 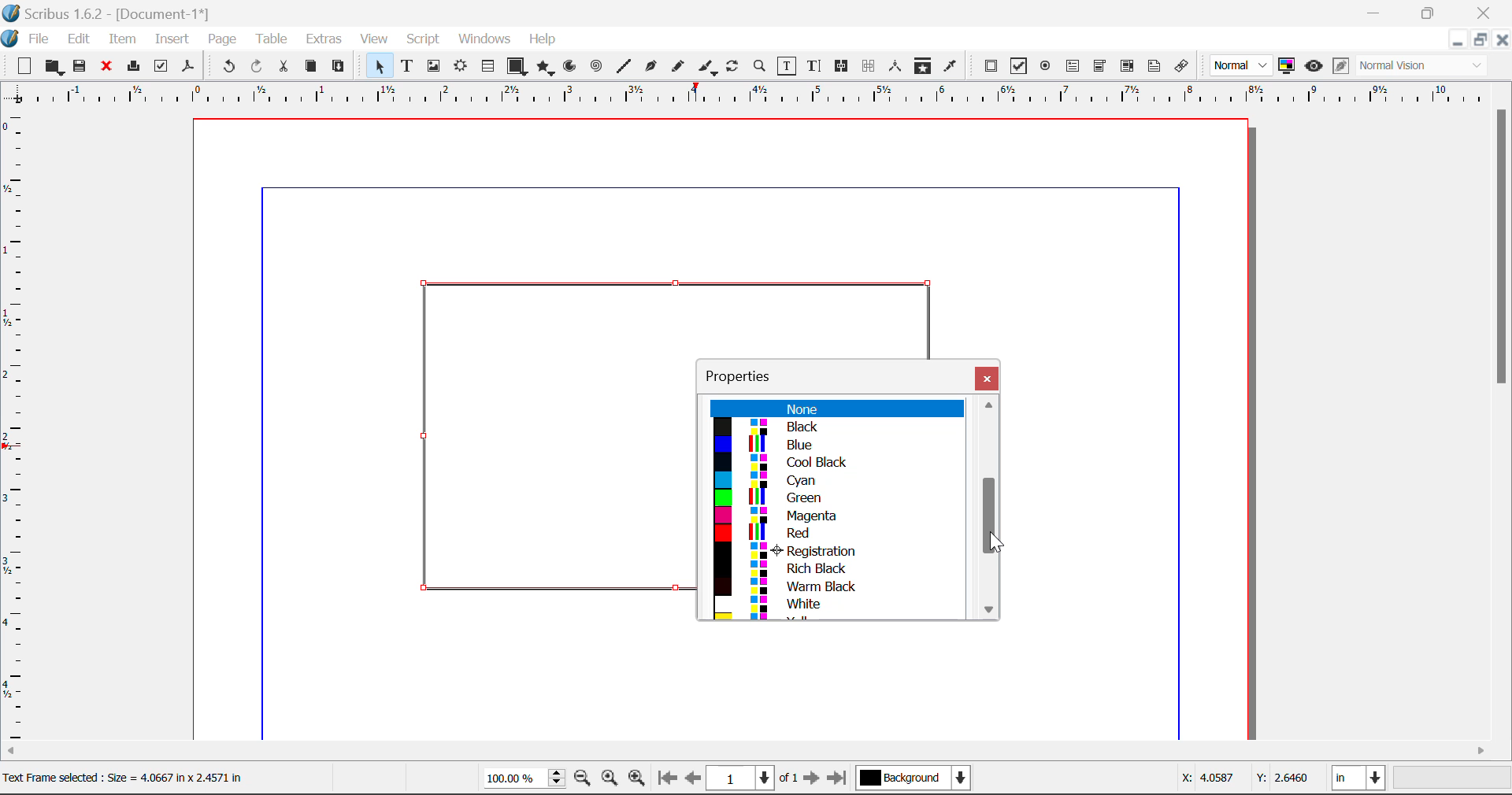 I want to click on Render Frame, so click(x=460, y=67).